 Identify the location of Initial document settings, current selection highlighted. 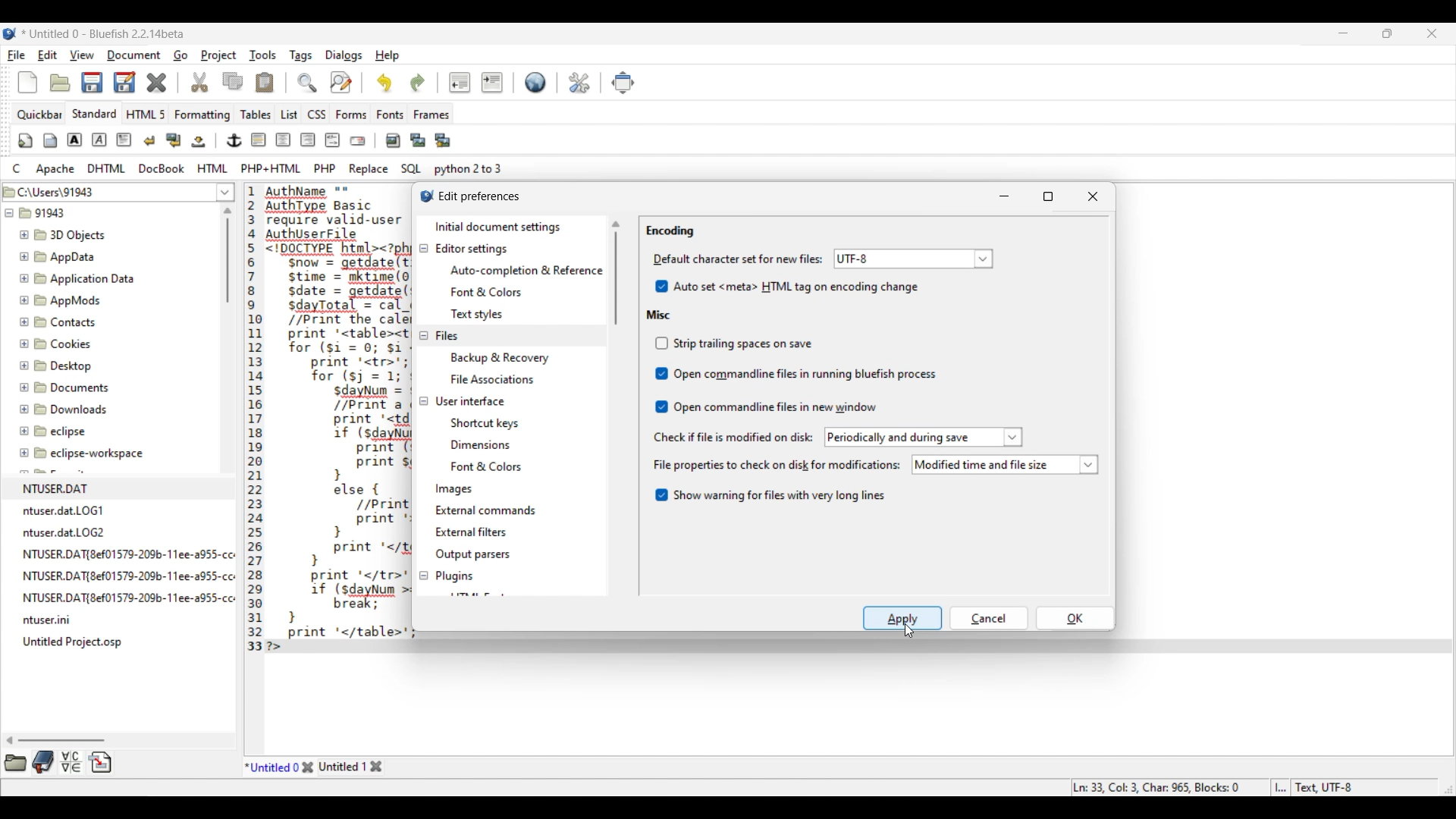
(511, 226).